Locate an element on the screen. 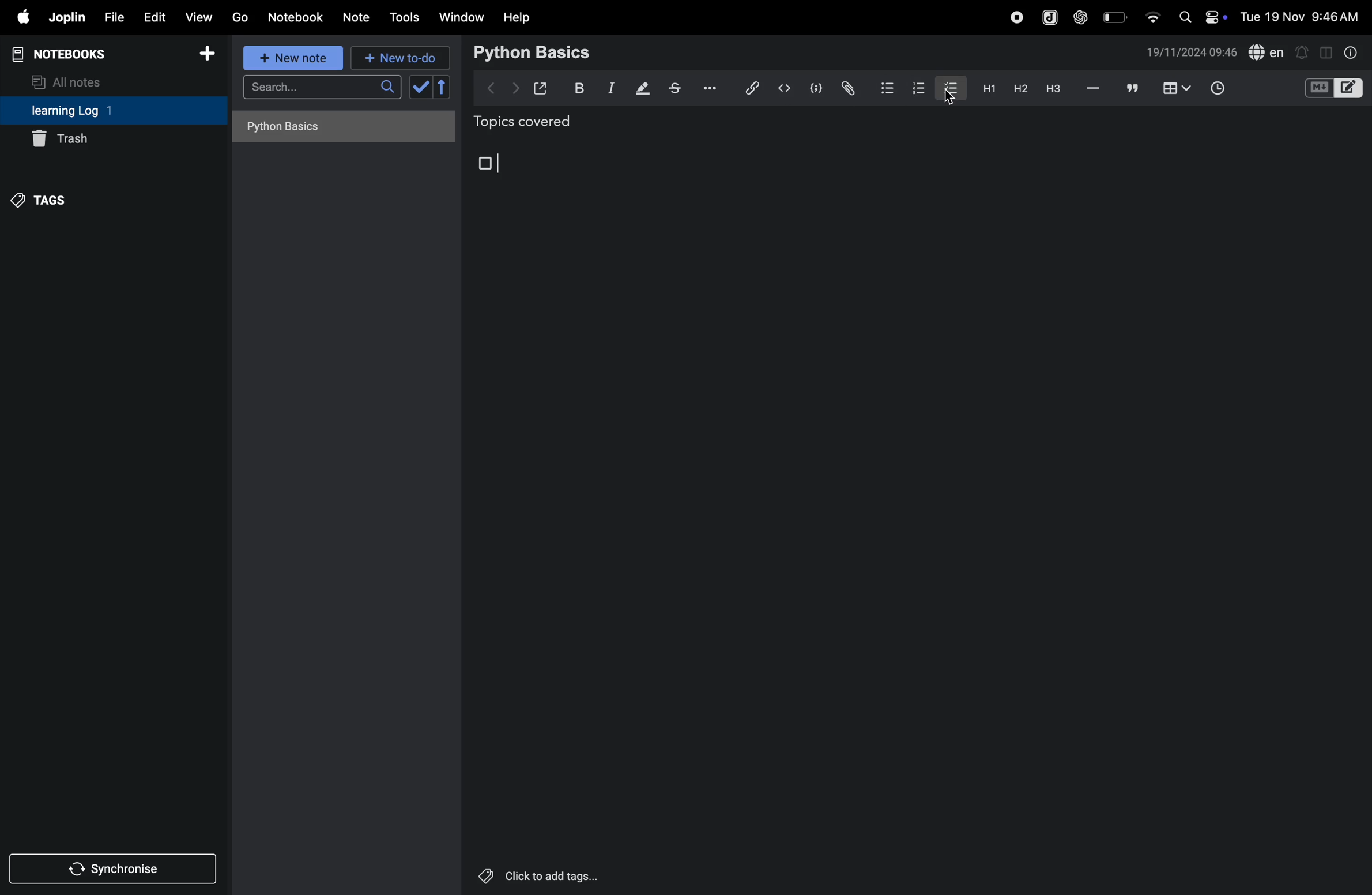  view is located at coordinates (199, 17).